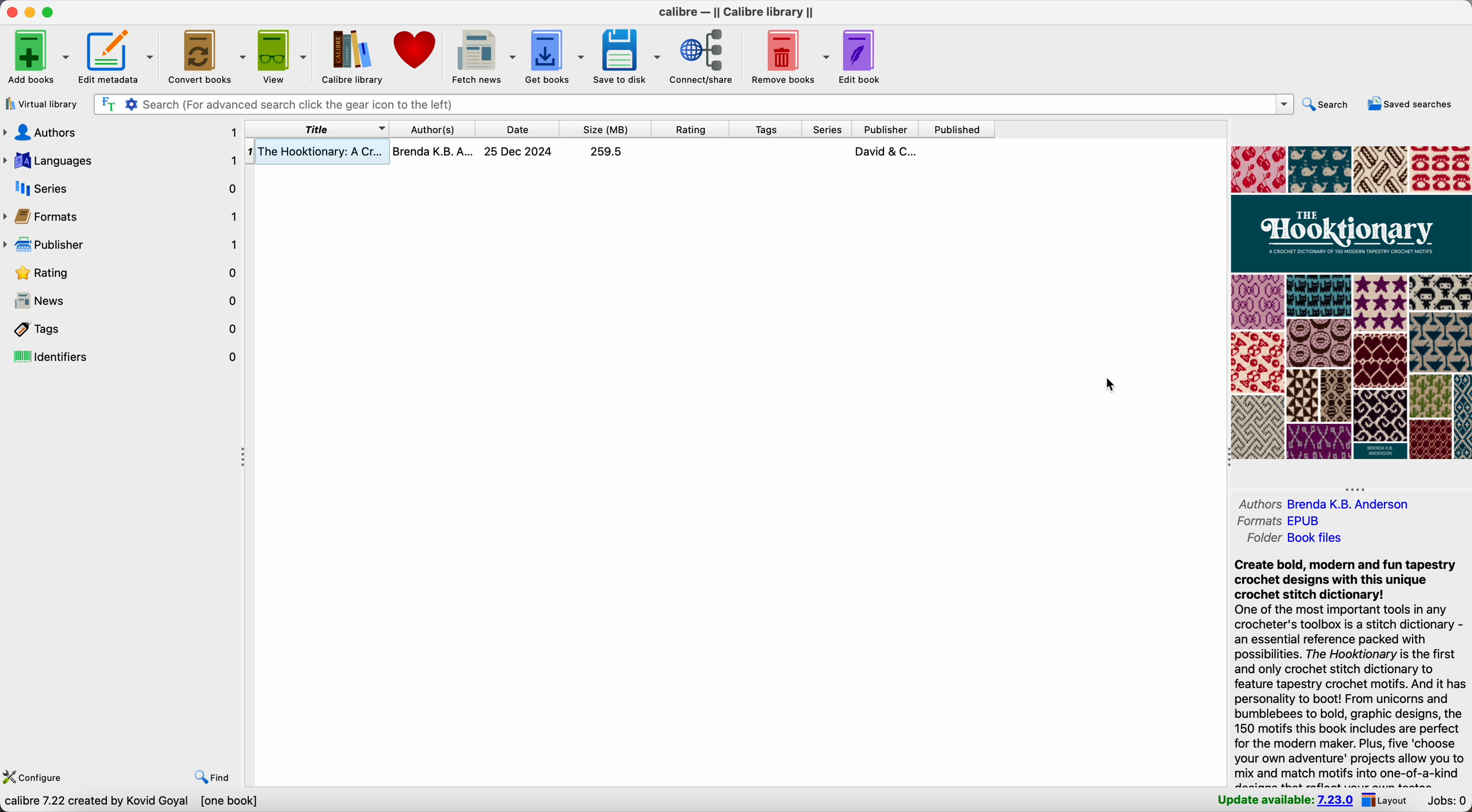 This screenshot has width=1472, height=812. What do you see at coordinates (205, 55) in the screenshot?
I see `convert books` at bounding box center [205, 55].